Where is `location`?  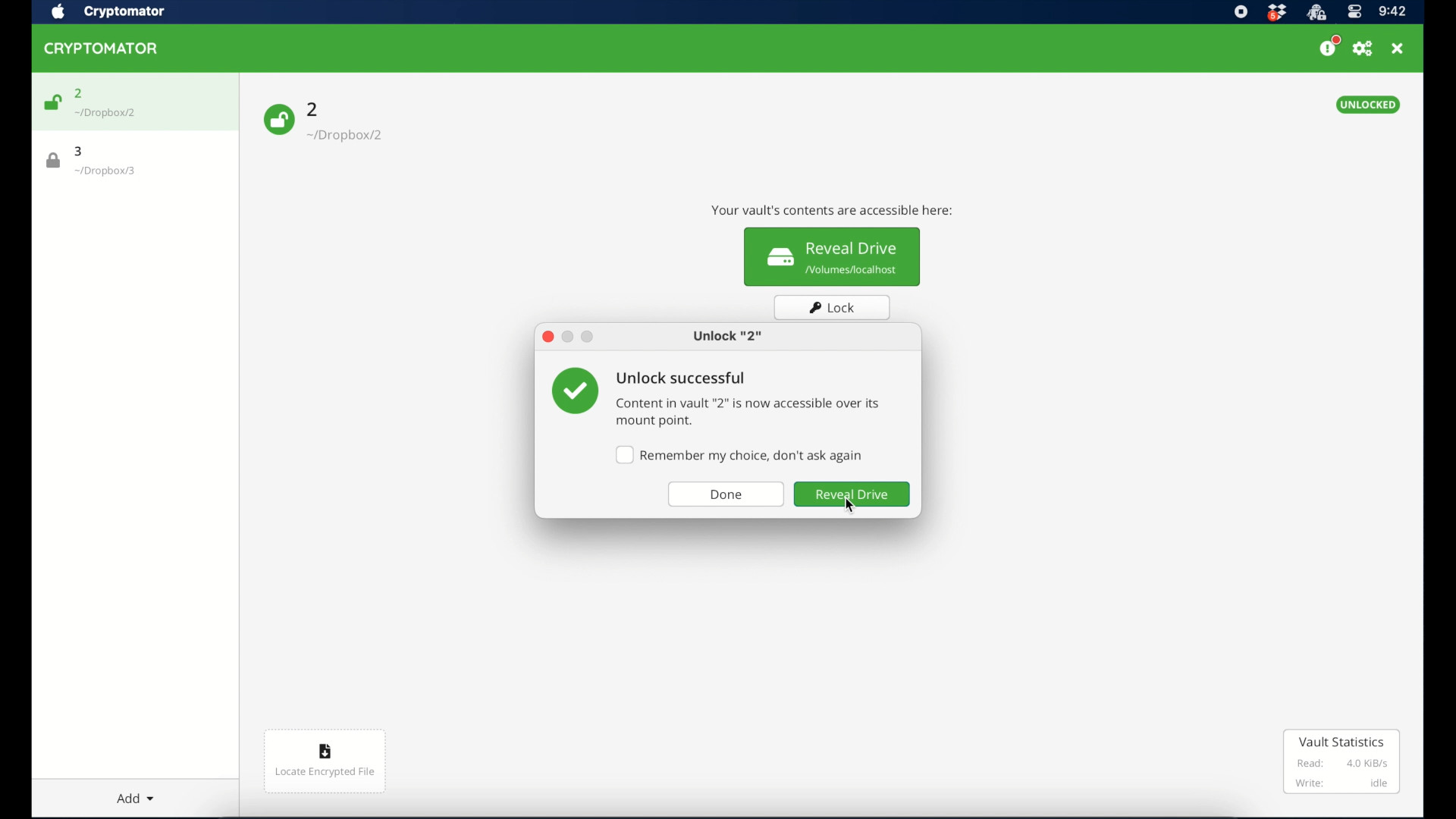
location is located at coordinates (106, 113).